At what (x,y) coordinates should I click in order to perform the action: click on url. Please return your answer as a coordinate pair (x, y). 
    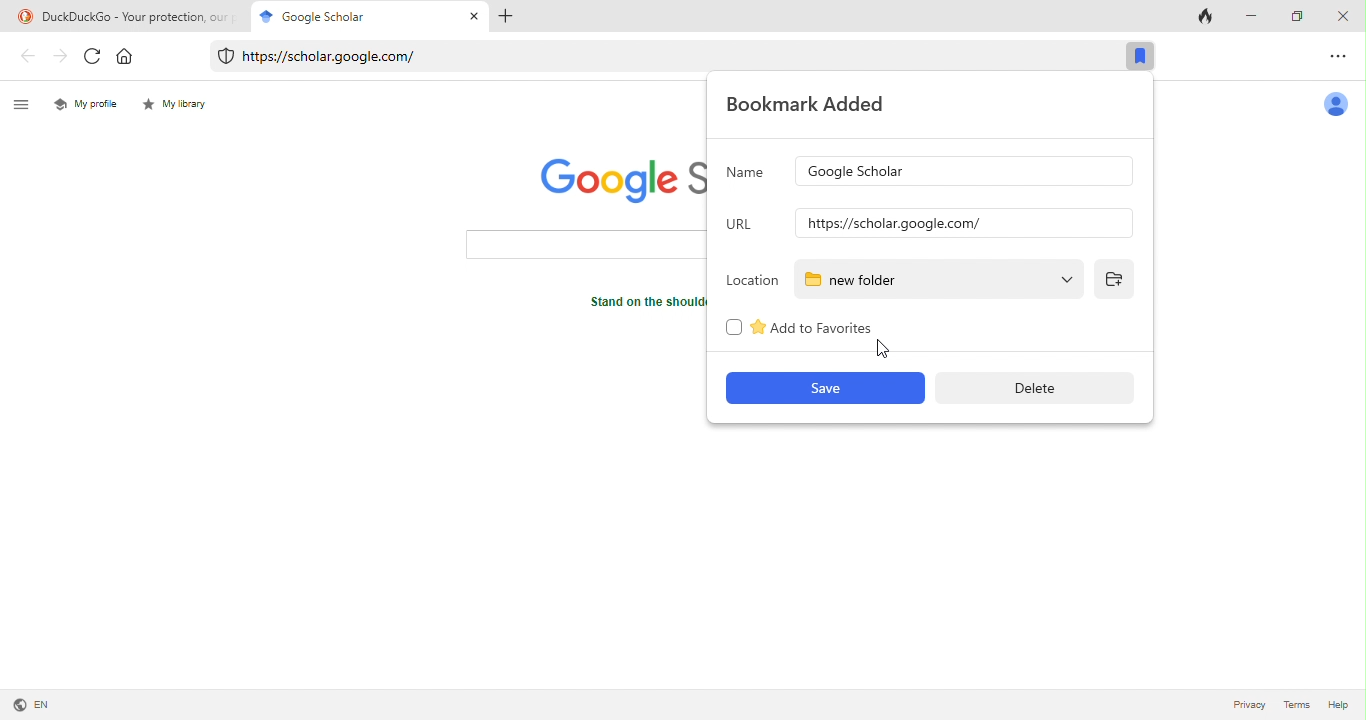
    Looking at the image, I should click on (742, 227).